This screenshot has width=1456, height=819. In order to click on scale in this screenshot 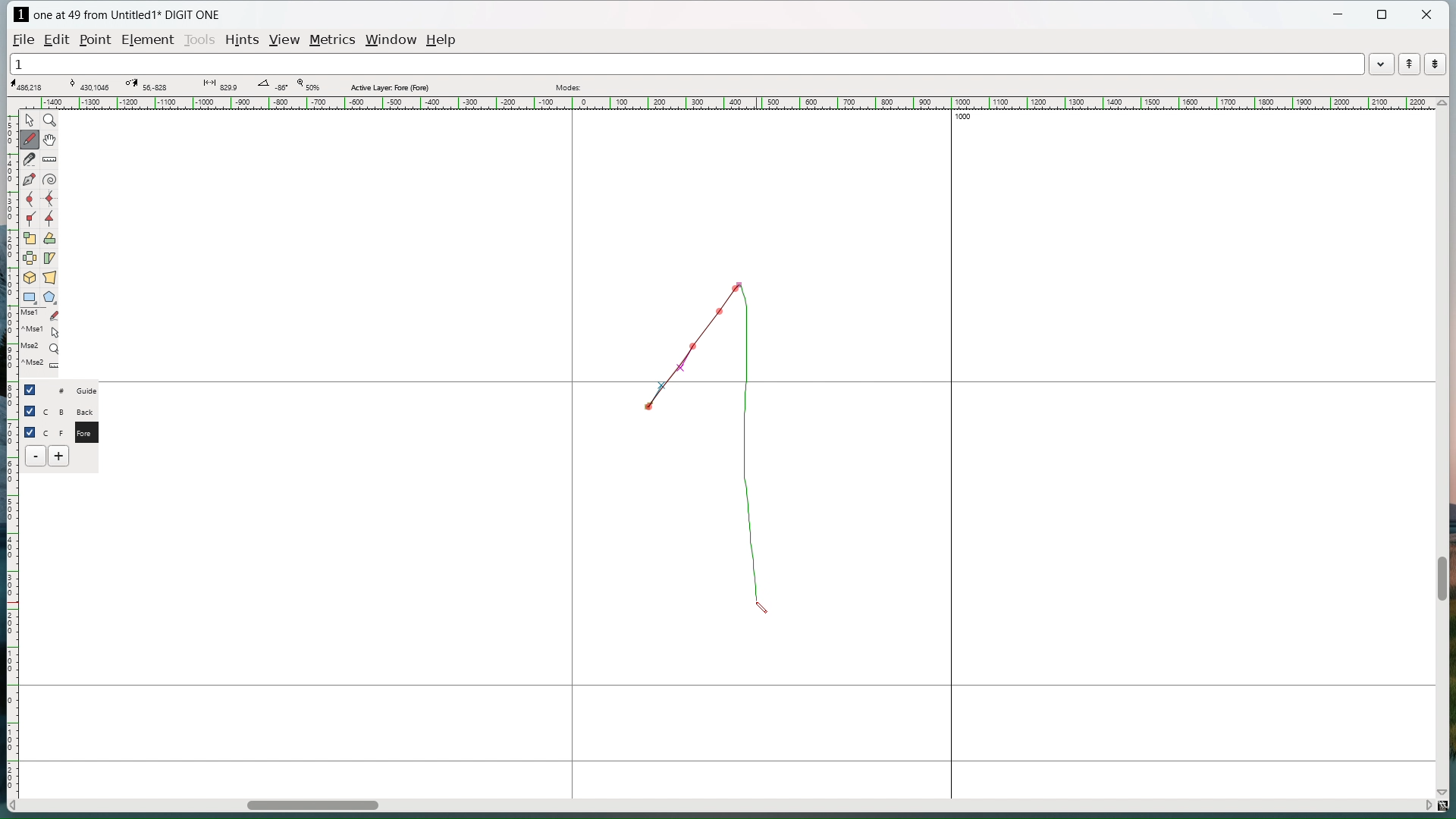, I will do `click(30, 237)`.